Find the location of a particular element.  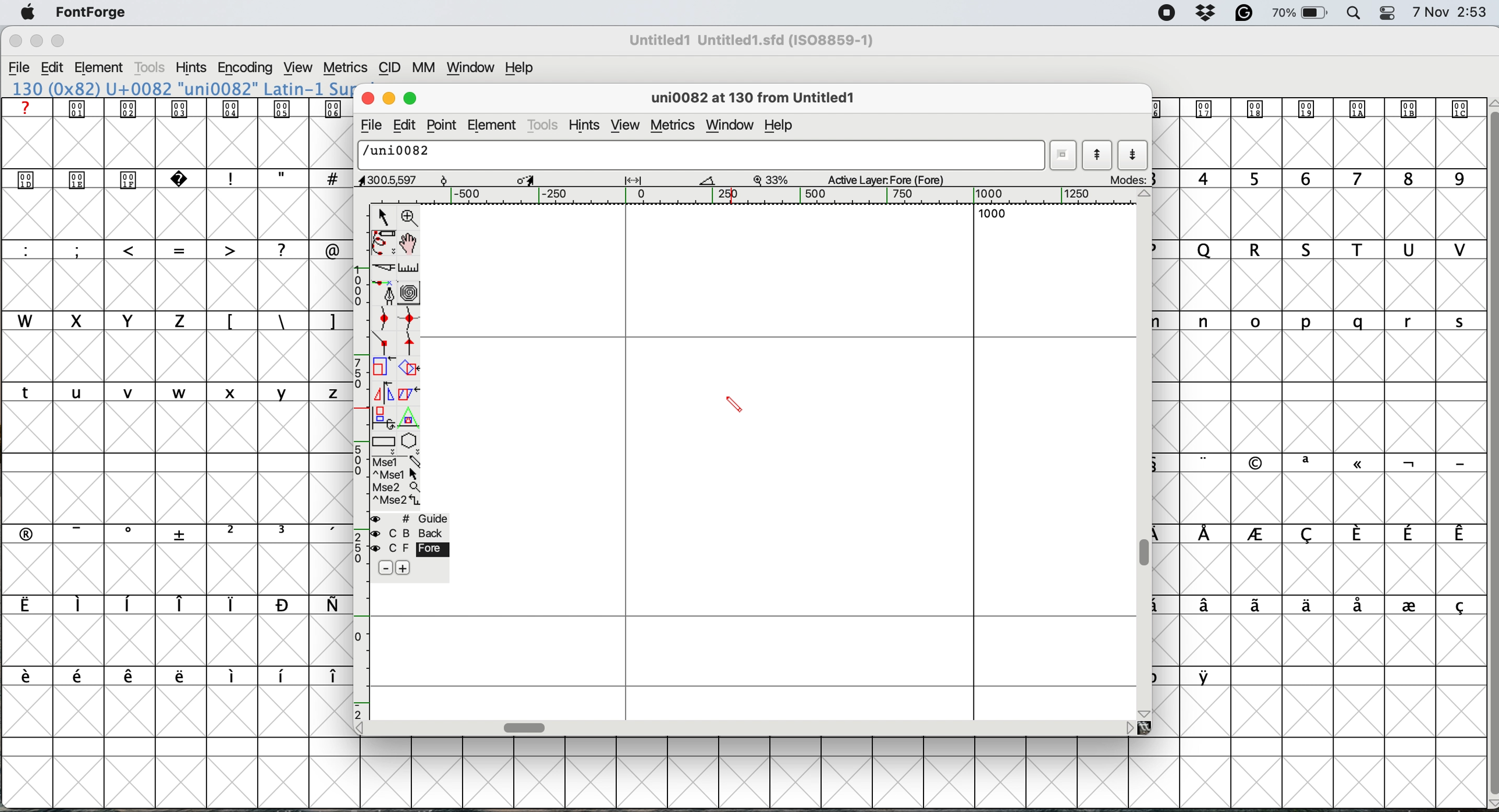

screen recorder is located at coordinates (1166, 15).